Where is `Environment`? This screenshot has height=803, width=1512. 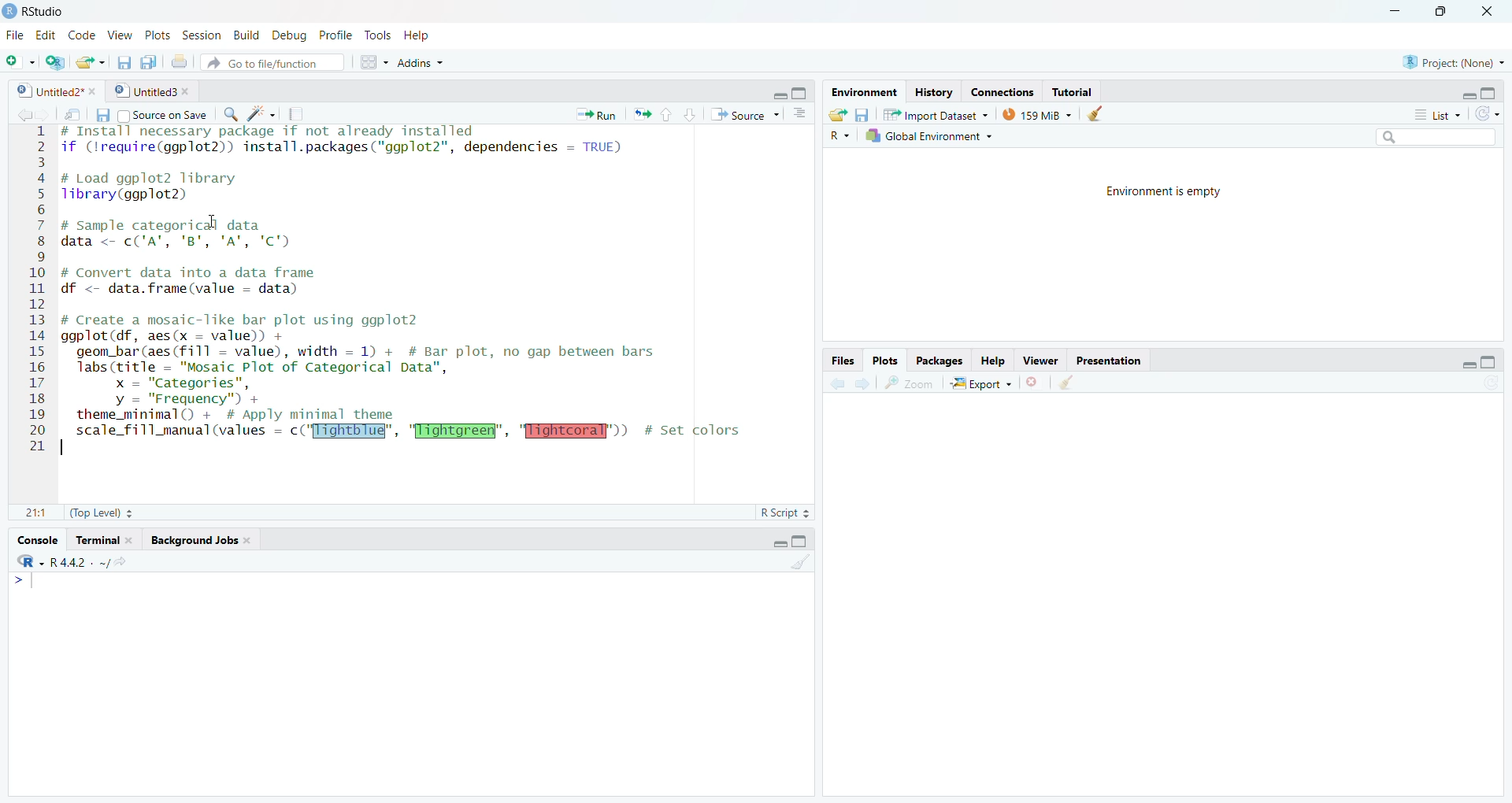 Environment is located at coordinates (866, 93).